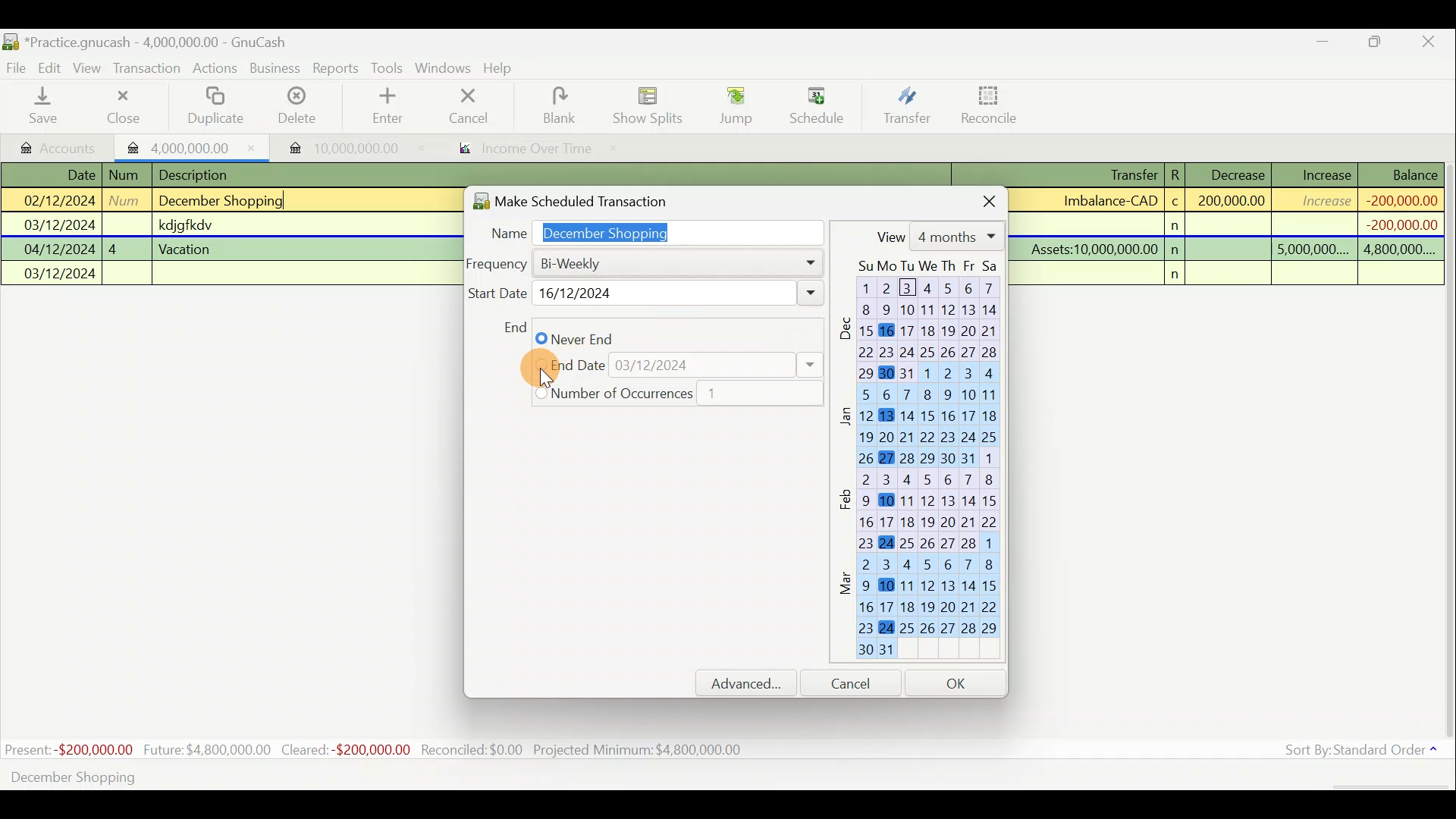  I want to click on Windows, so click(445, 69).